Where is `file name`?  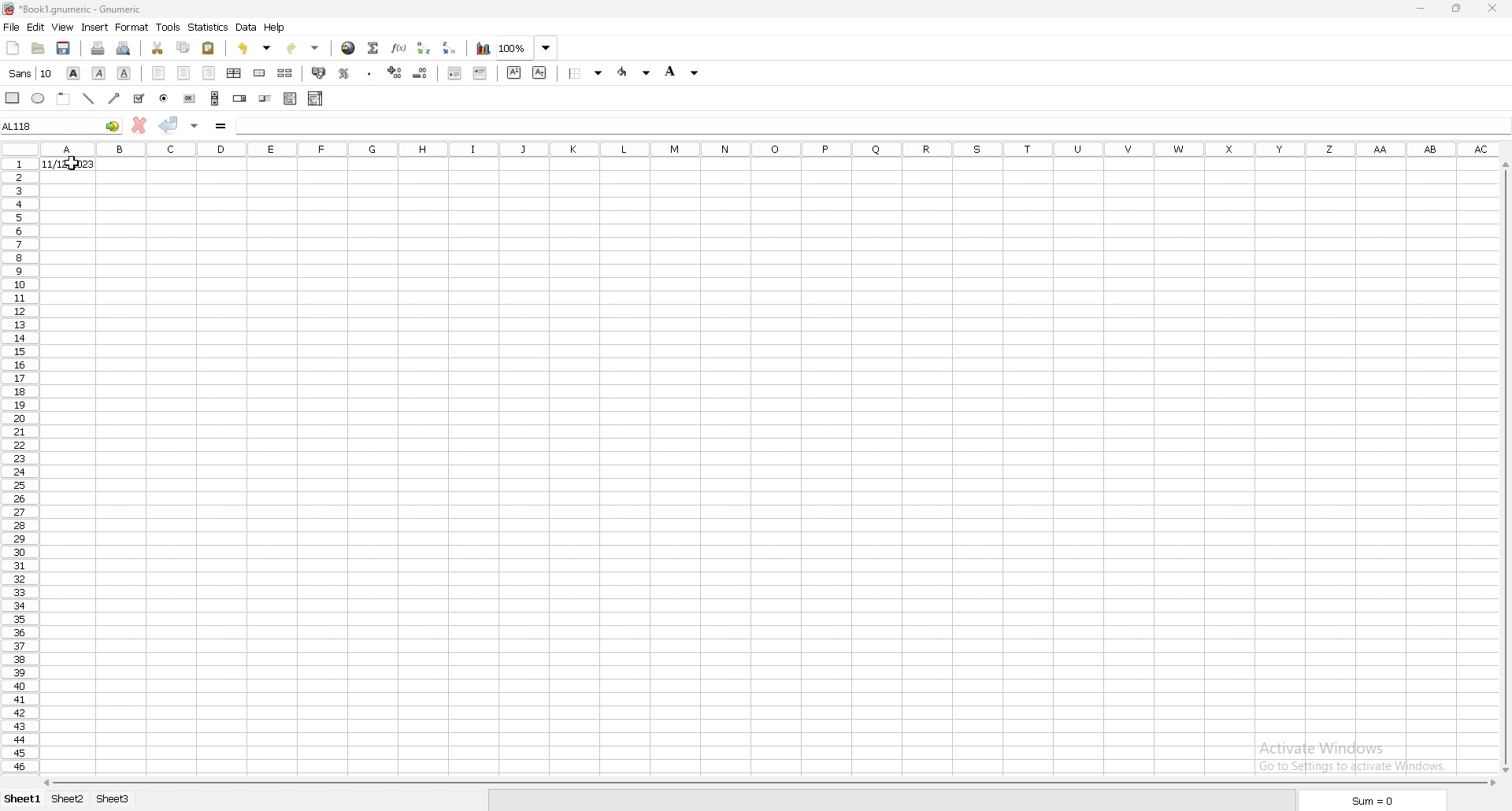
file name is located at coordinates (74, 10).